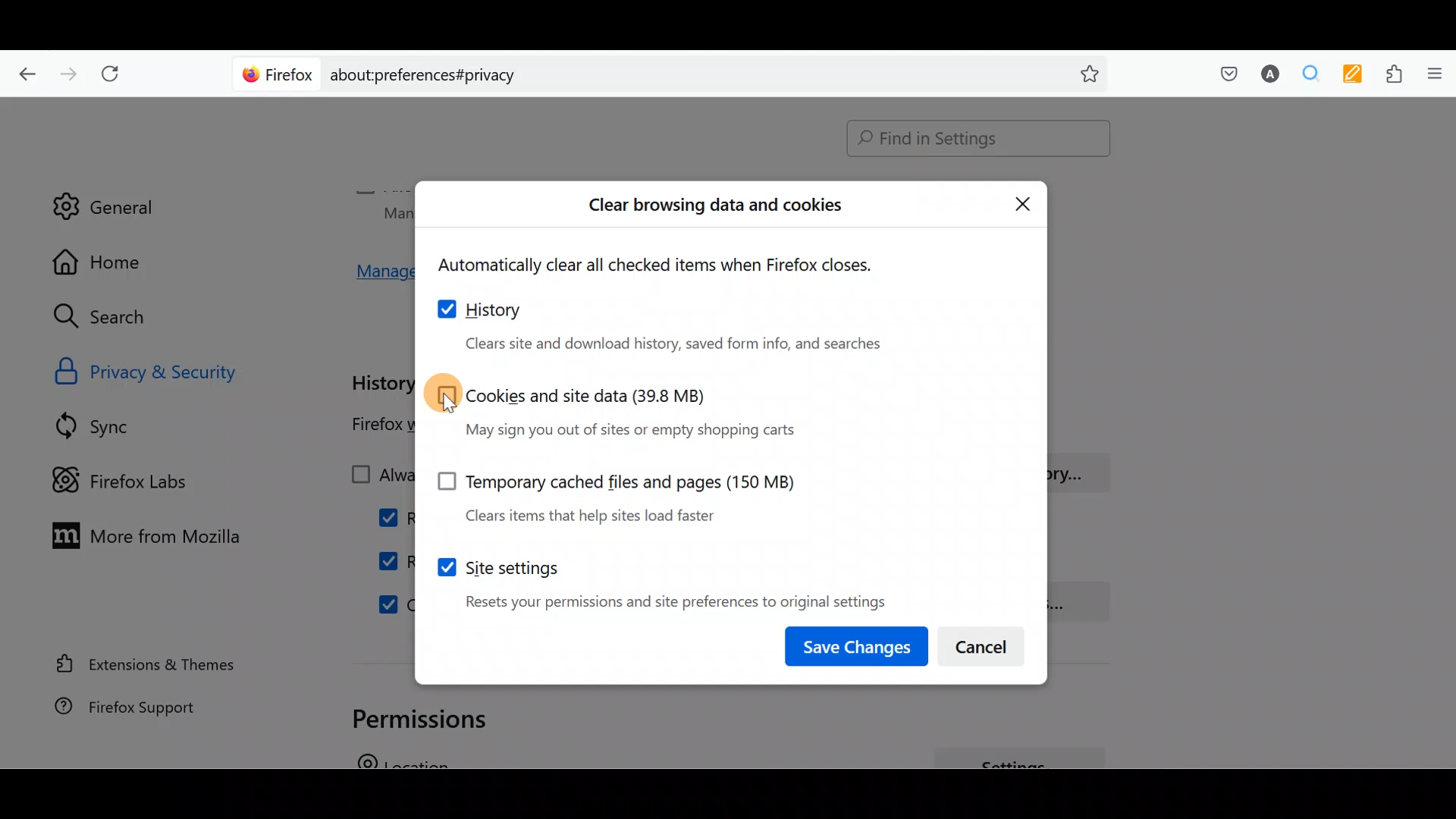  I want to click on More from Mozilla, so click(139, 534).